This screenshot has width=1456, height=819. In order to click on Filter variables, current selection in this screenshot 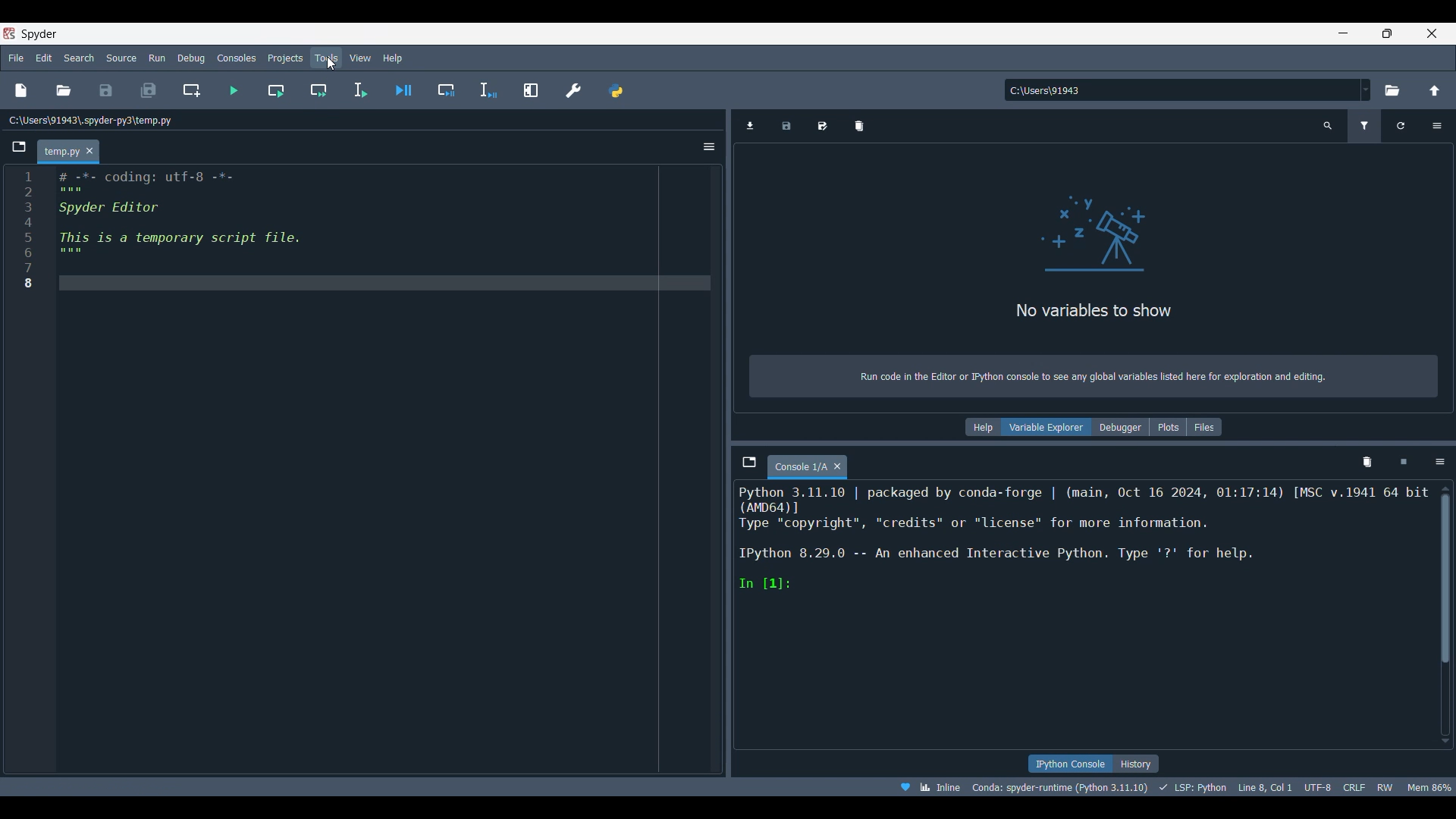, I will do `click(1366, 126)`.